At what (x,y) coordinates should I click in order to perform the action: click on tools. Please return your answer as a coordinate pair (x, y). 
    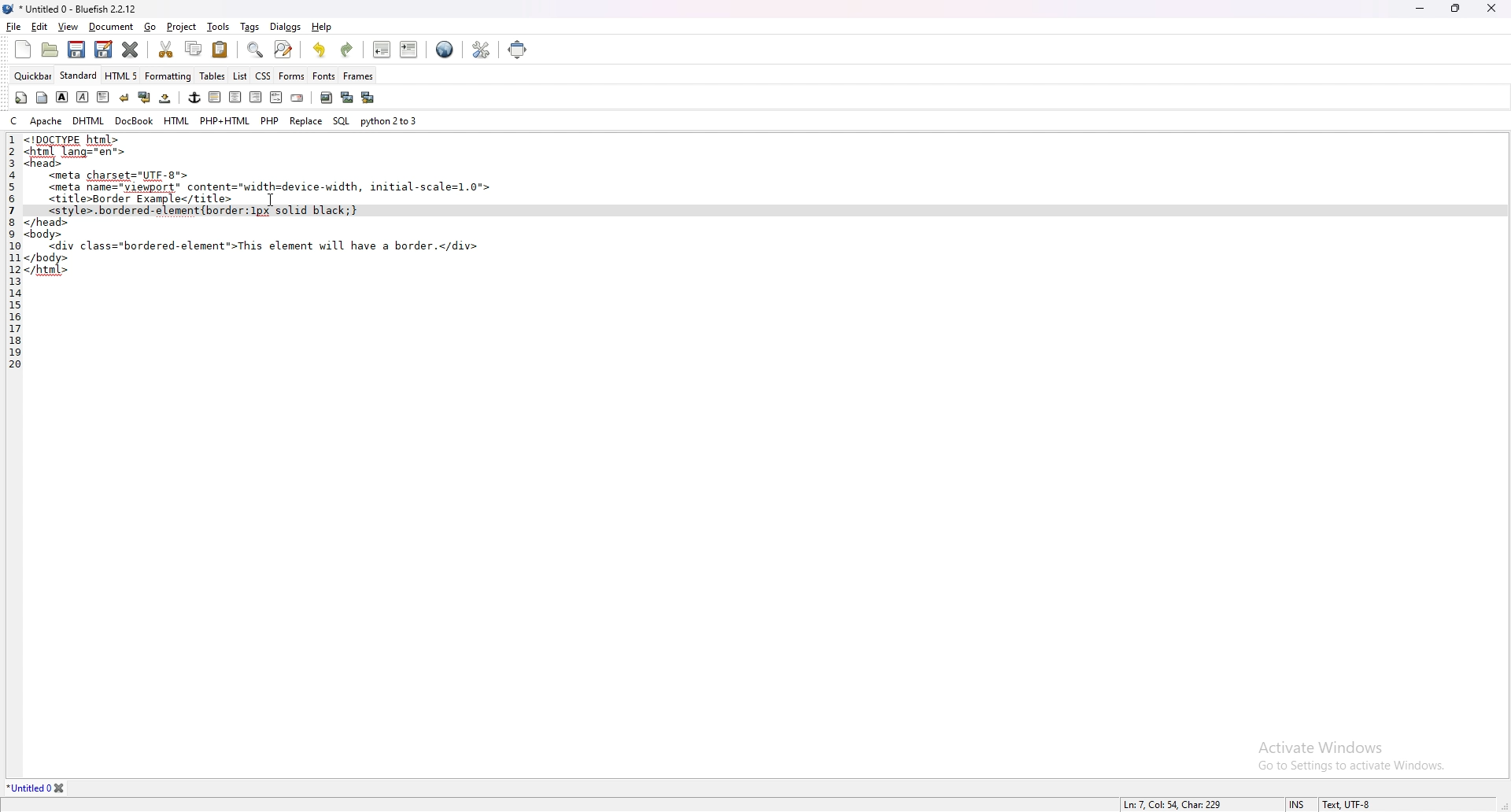
    Looking at the image, I should click on (218, 27).